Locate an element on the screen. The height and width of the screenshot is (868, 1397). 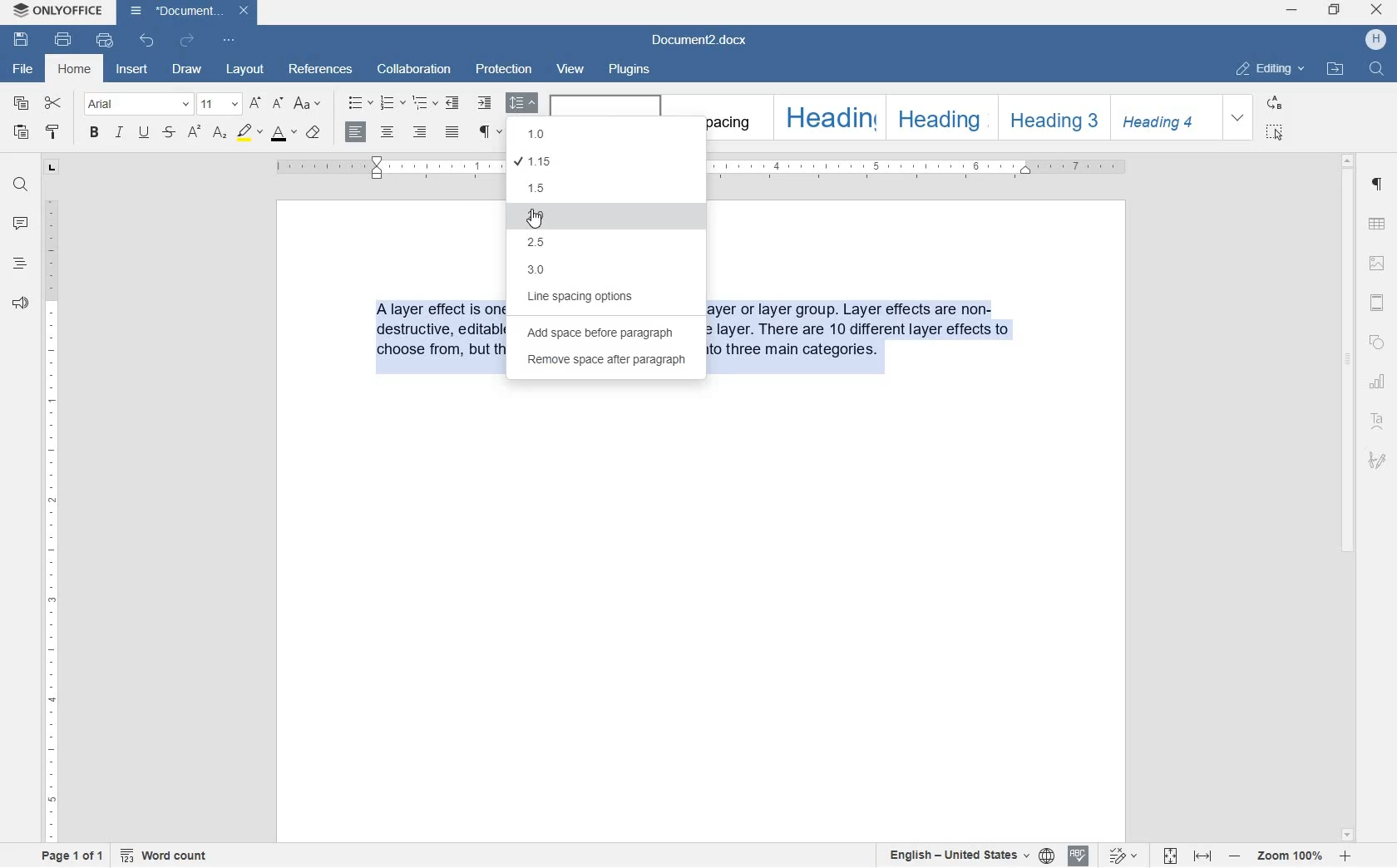
close is located at coordinates (1378, 11).